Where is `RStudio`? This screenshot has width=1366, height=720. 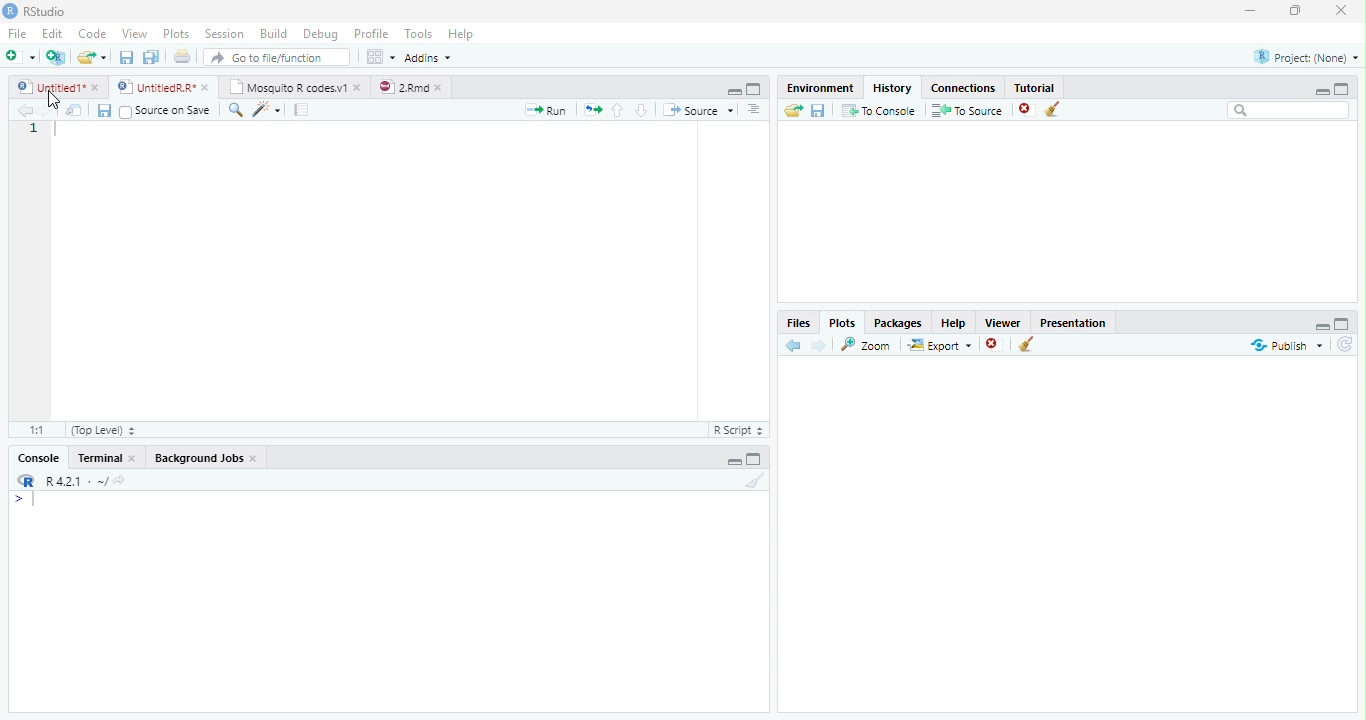
RStudio is located at coordinates (35, 11).